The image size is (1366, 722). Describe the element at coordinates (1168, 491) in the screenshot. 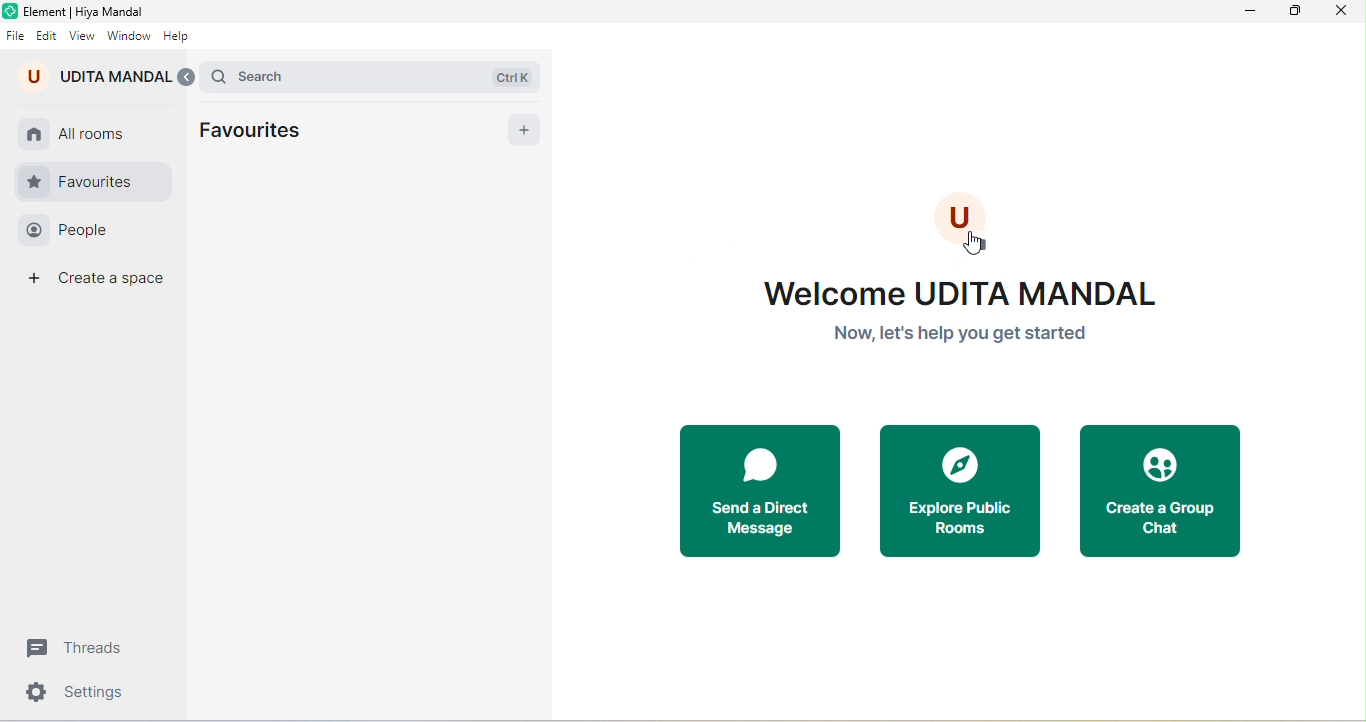

I see `create a group chat` at that location.